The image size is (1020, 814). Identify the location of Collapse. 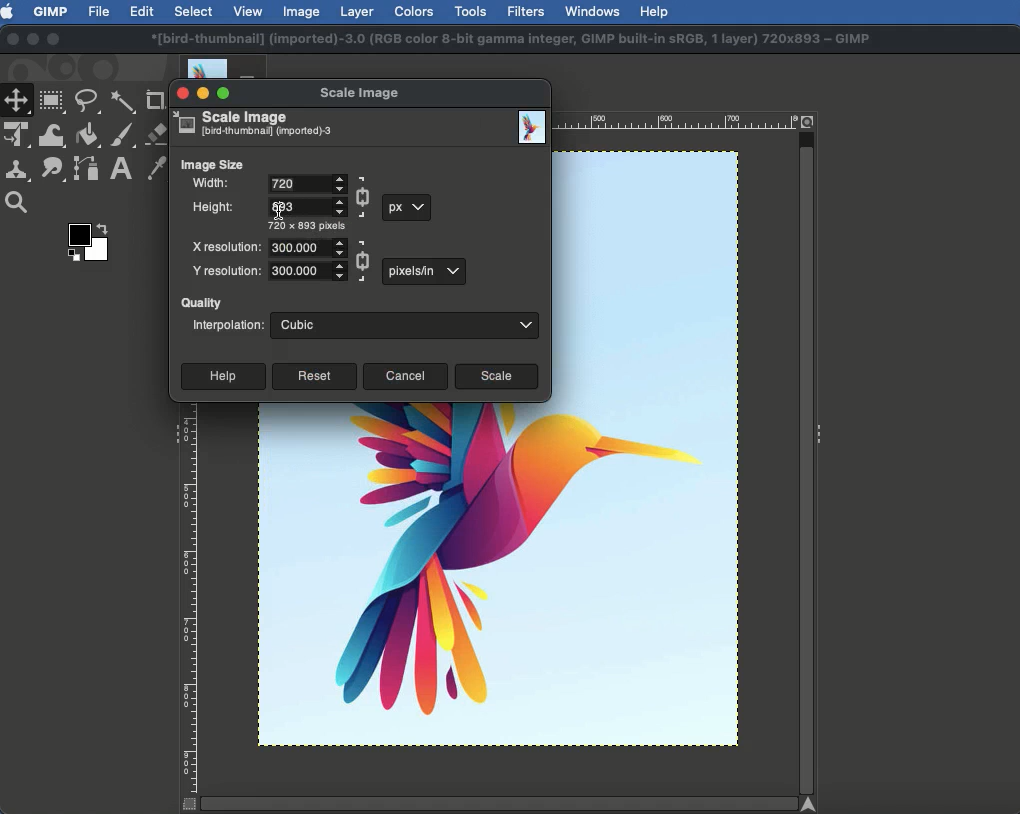
(174, 433).